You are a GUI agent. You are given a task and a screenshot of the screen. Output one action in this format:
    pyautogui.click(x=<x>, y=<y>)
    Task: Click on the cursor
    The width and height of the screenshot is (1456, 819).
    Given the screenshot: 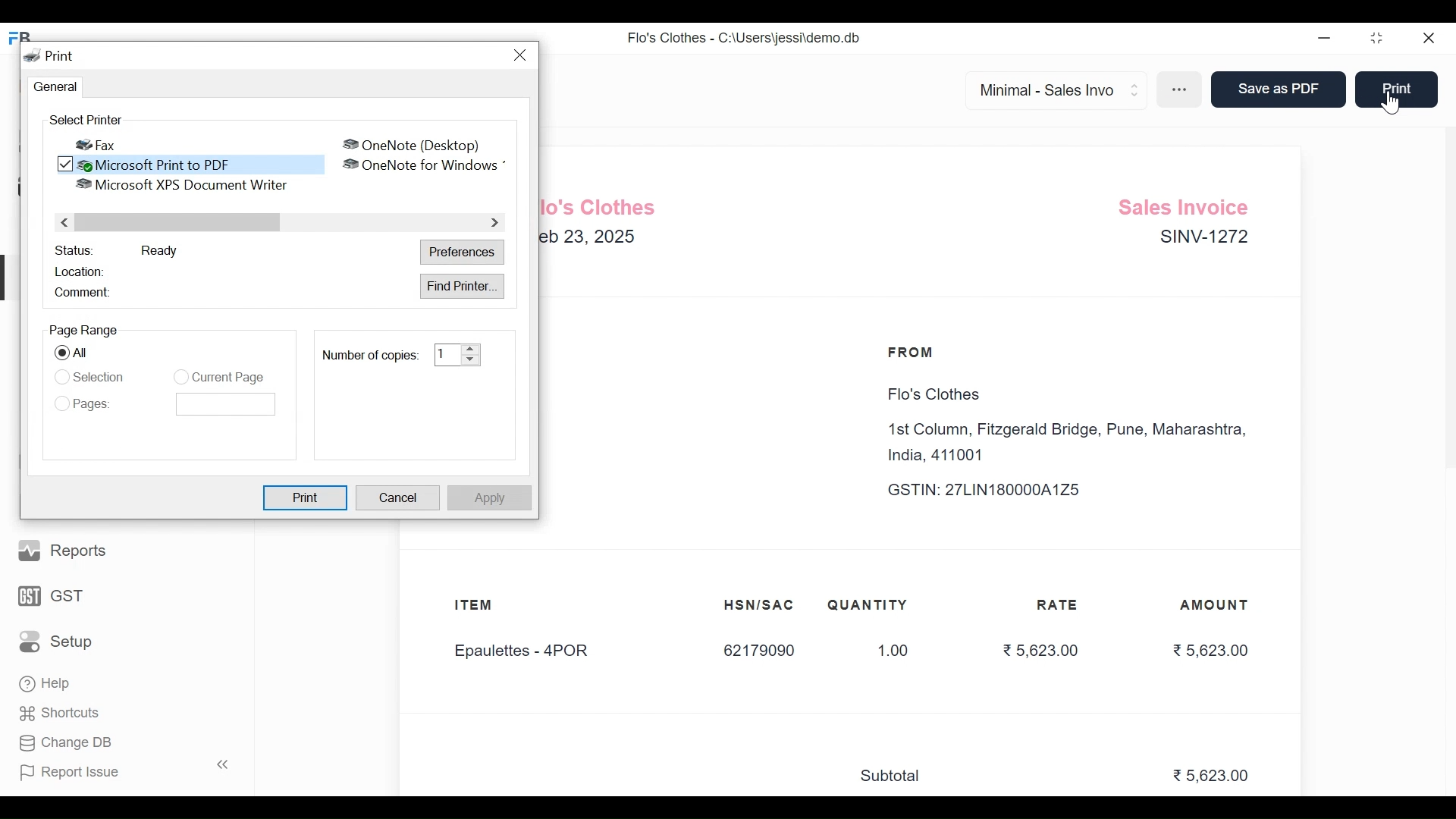 What is the action you would take?
    pyautogui.click(x=1392, y=104)
    